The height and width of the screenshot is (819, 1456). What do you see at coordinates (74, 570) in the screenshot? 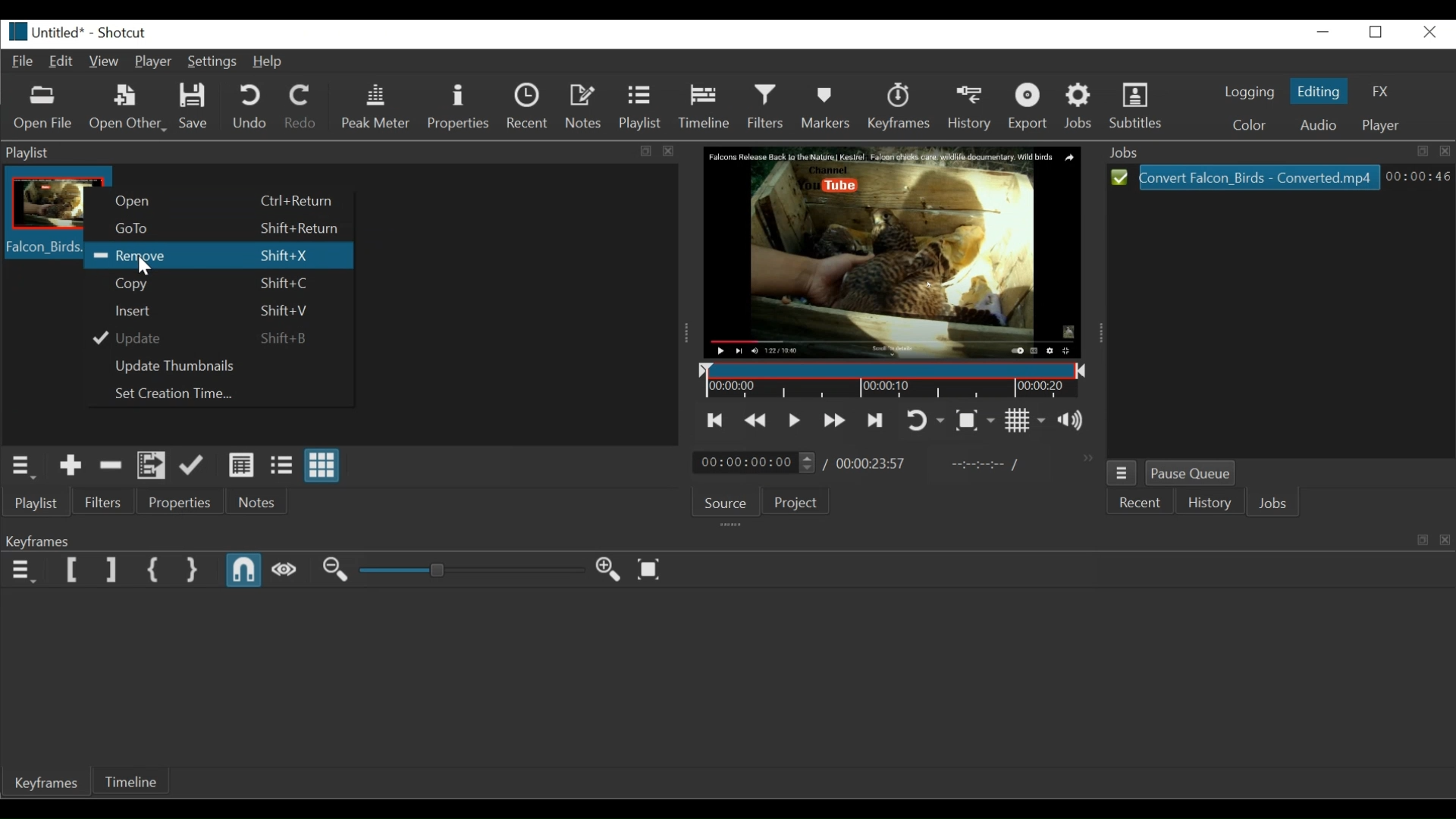
I see `Set Filter Start` at bounding box center [74, 570].